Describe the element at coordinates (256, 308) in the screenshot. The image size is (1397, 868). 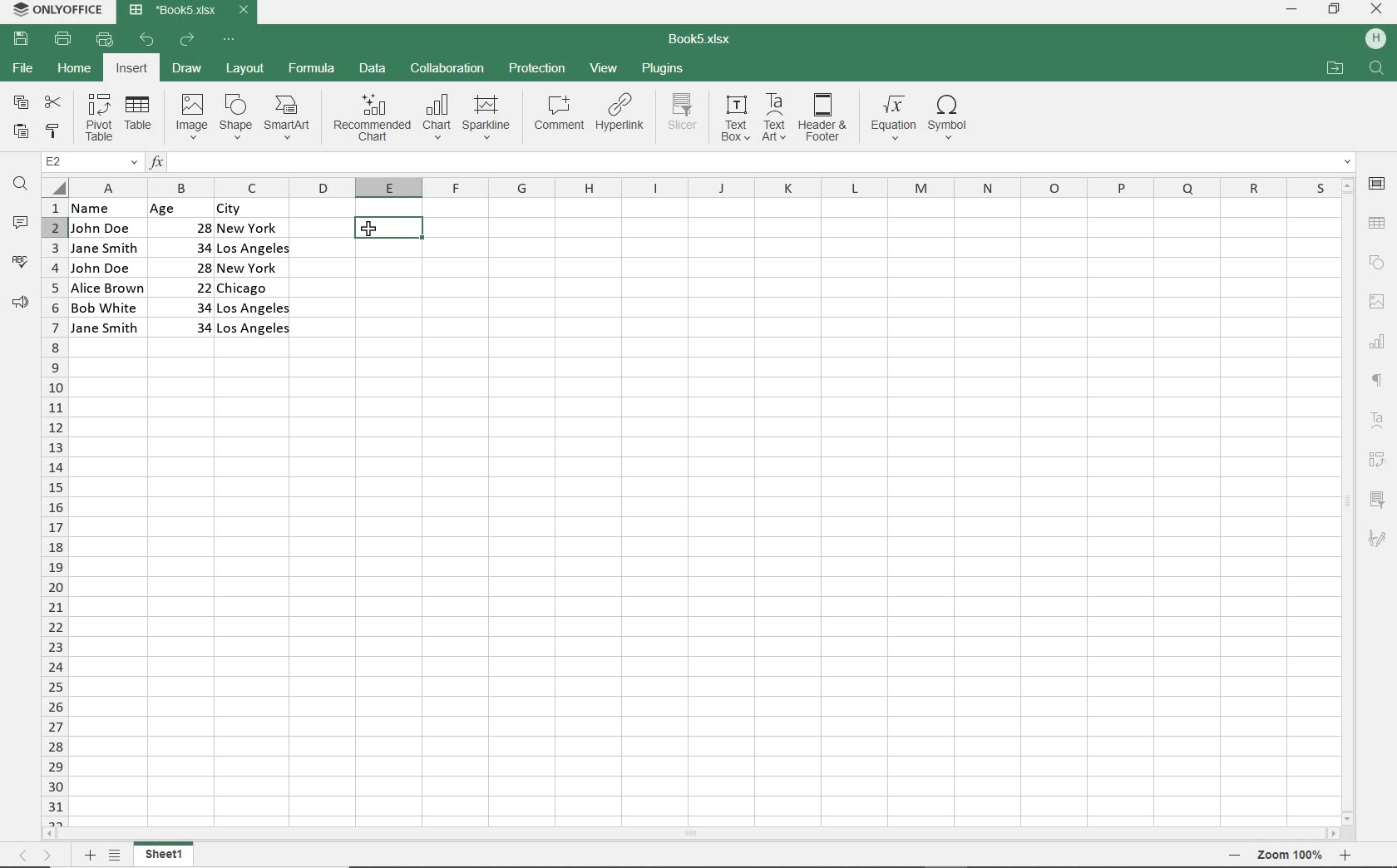
I see `Los Angeles` at that location.